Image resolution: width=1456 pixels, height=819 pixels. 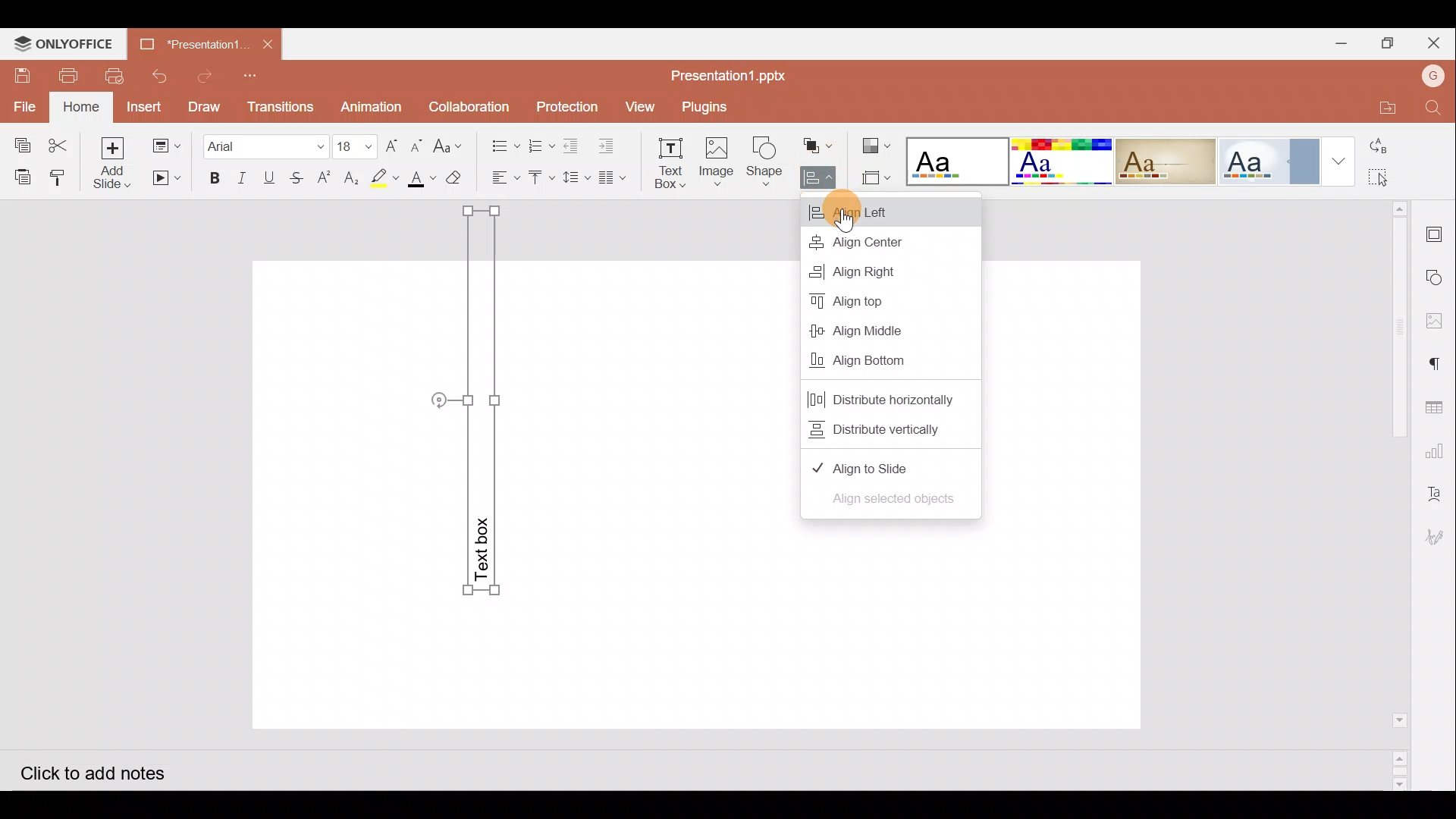 What do you see at coordinates (578, 178) in the screenshot?
I see `Line spacing` at bounding box center [578, 178].